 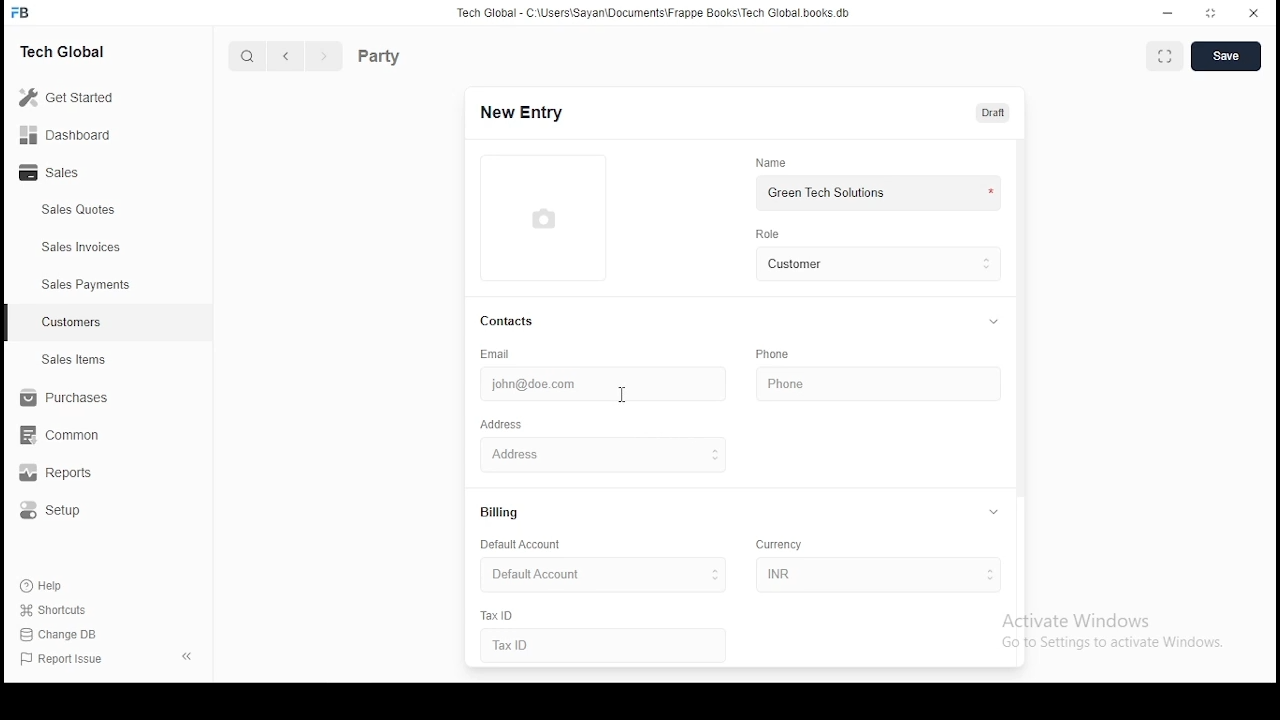 I want to click on default account, so click(x=519, y=545).